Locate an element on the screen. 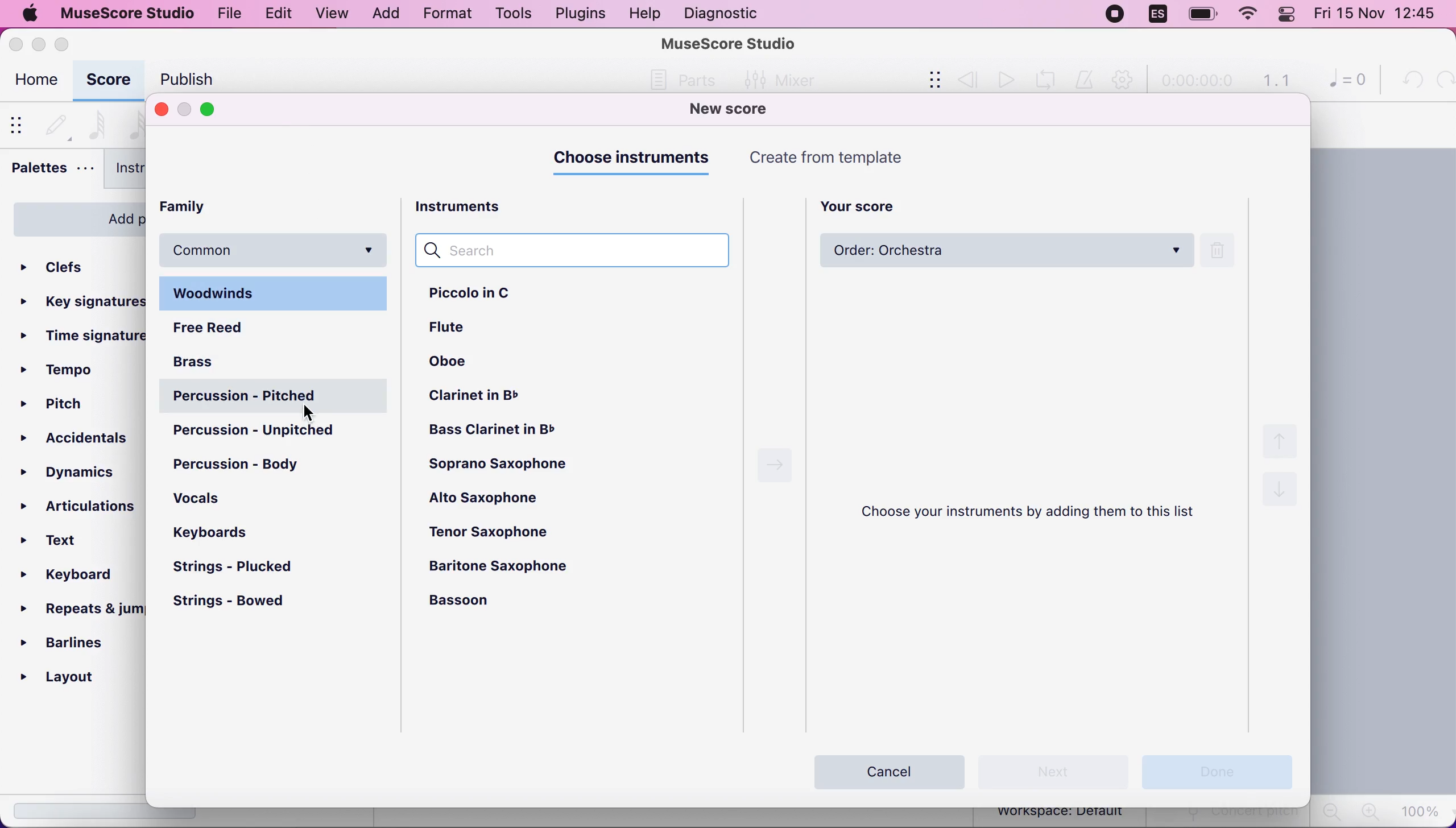 This screenshot has height=828, width=1456. edit is located at coordinates (276, 12).